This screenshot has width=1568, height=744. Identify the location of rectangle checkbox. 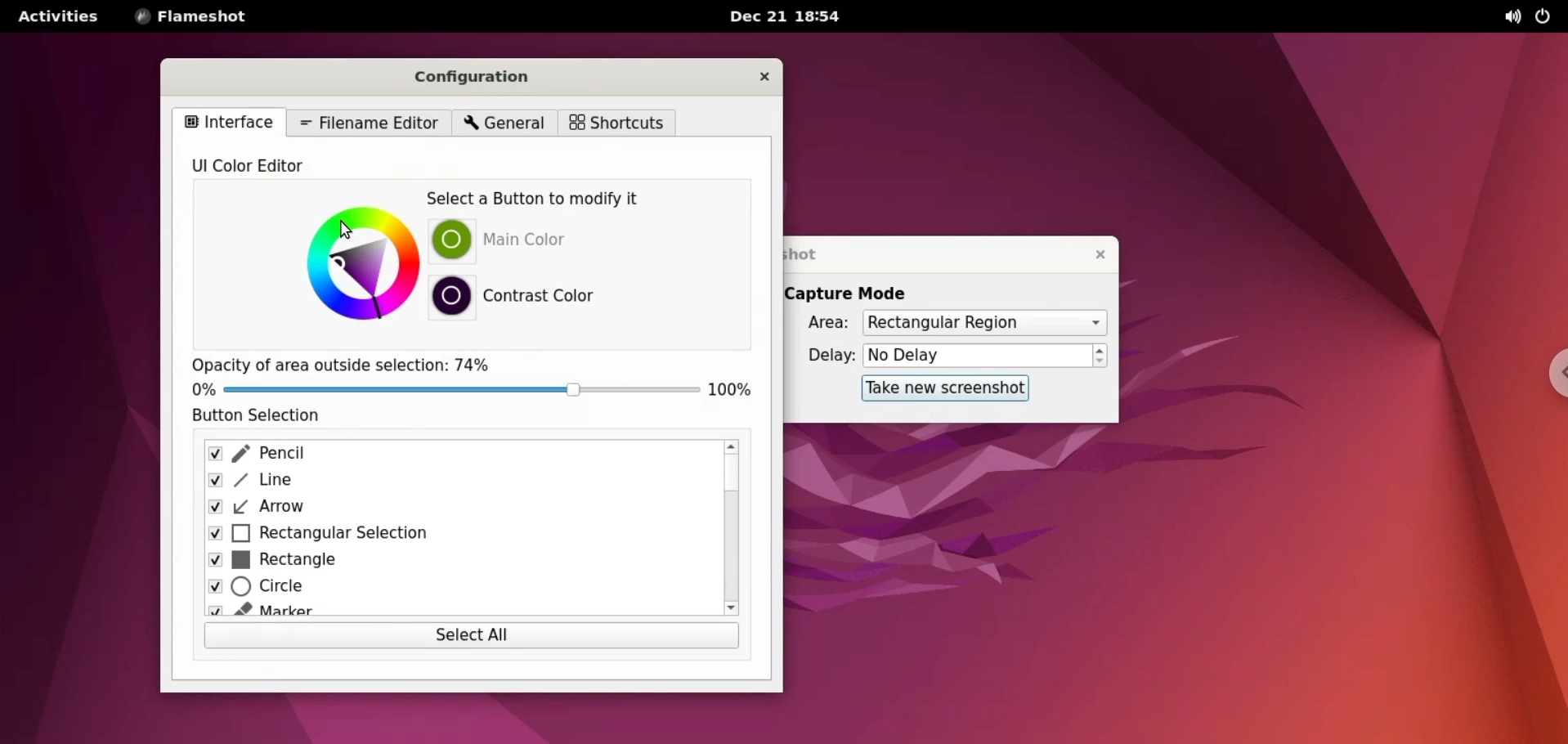
(450, 563).